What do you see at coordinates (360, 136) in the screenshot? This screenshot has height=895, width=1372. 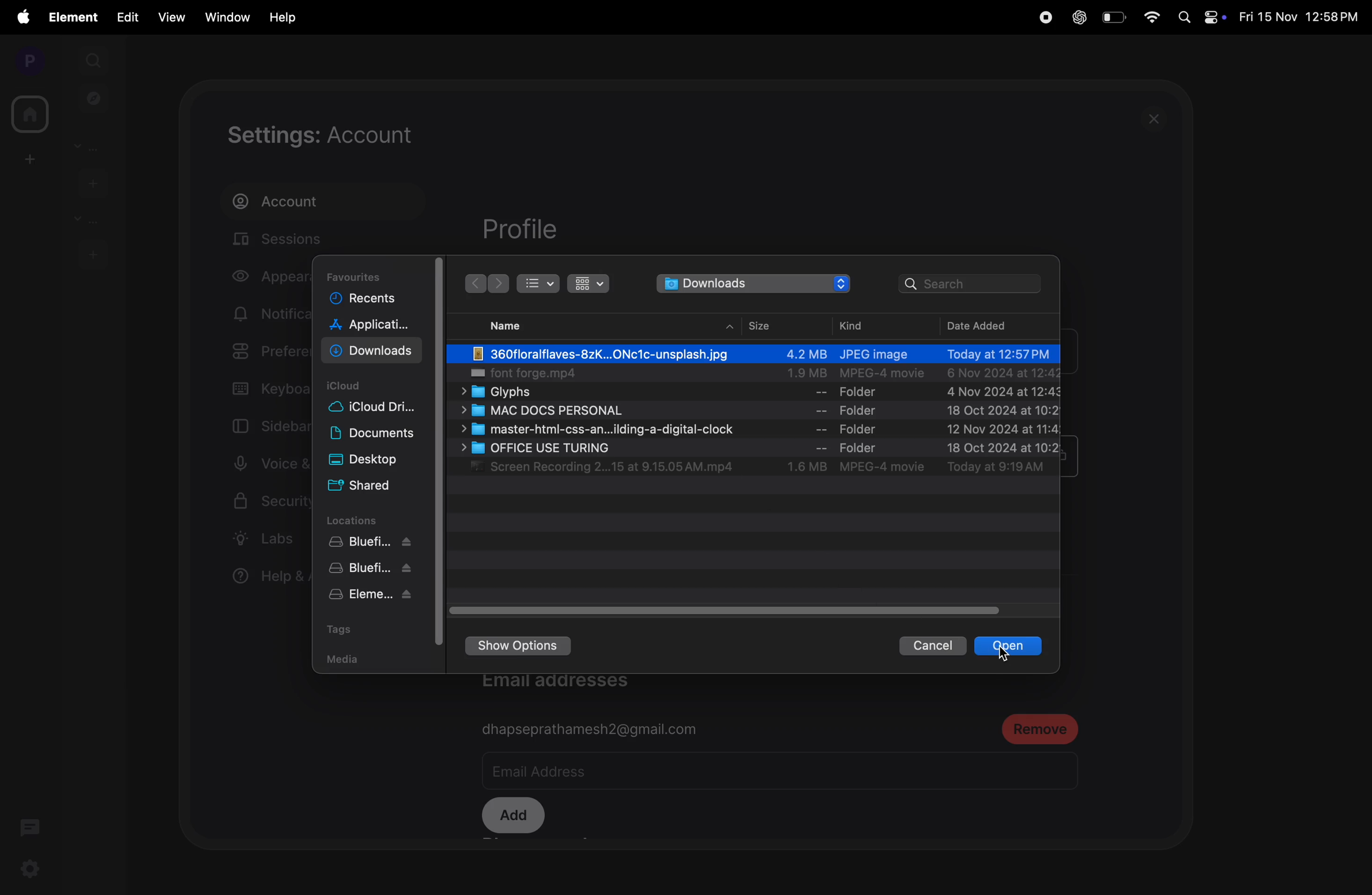 I see `settings account` at bounding box center [360, 136].